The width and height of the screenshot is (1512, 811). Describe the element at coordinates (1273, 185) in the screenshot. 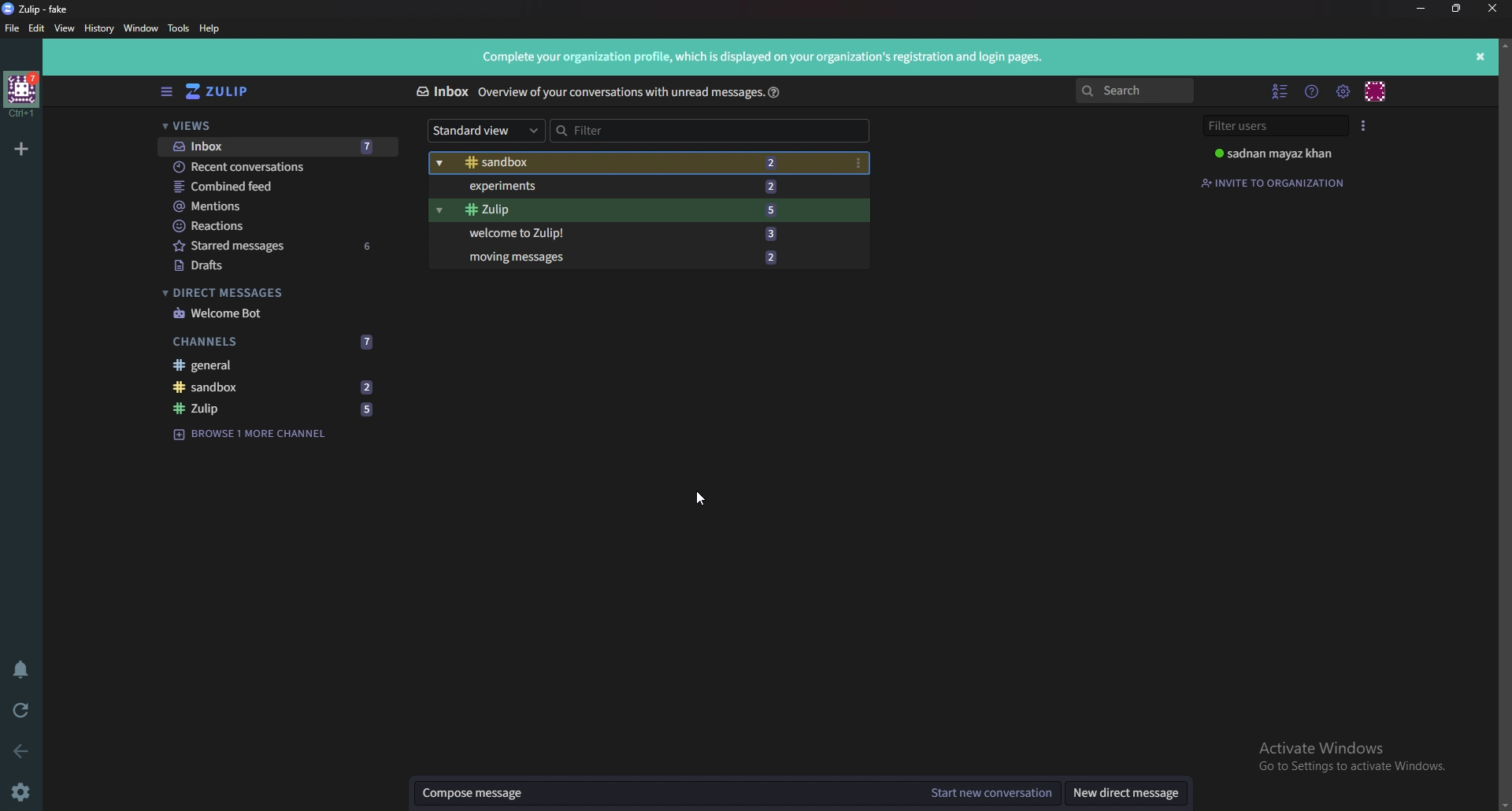

I see `Invite to organization` at that location.